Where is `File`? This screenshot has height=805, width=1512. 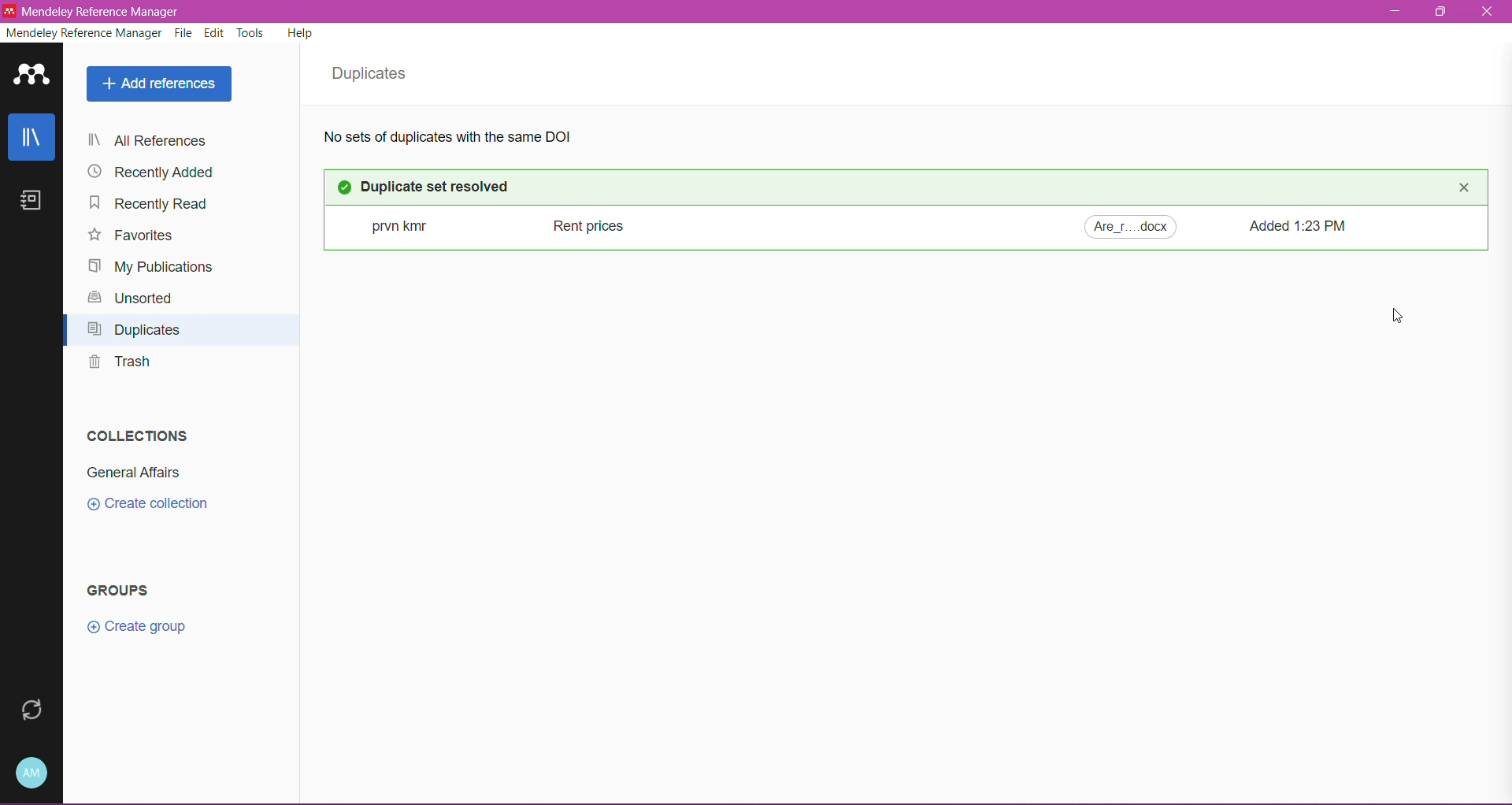
File is located at coordinates (185, 34).